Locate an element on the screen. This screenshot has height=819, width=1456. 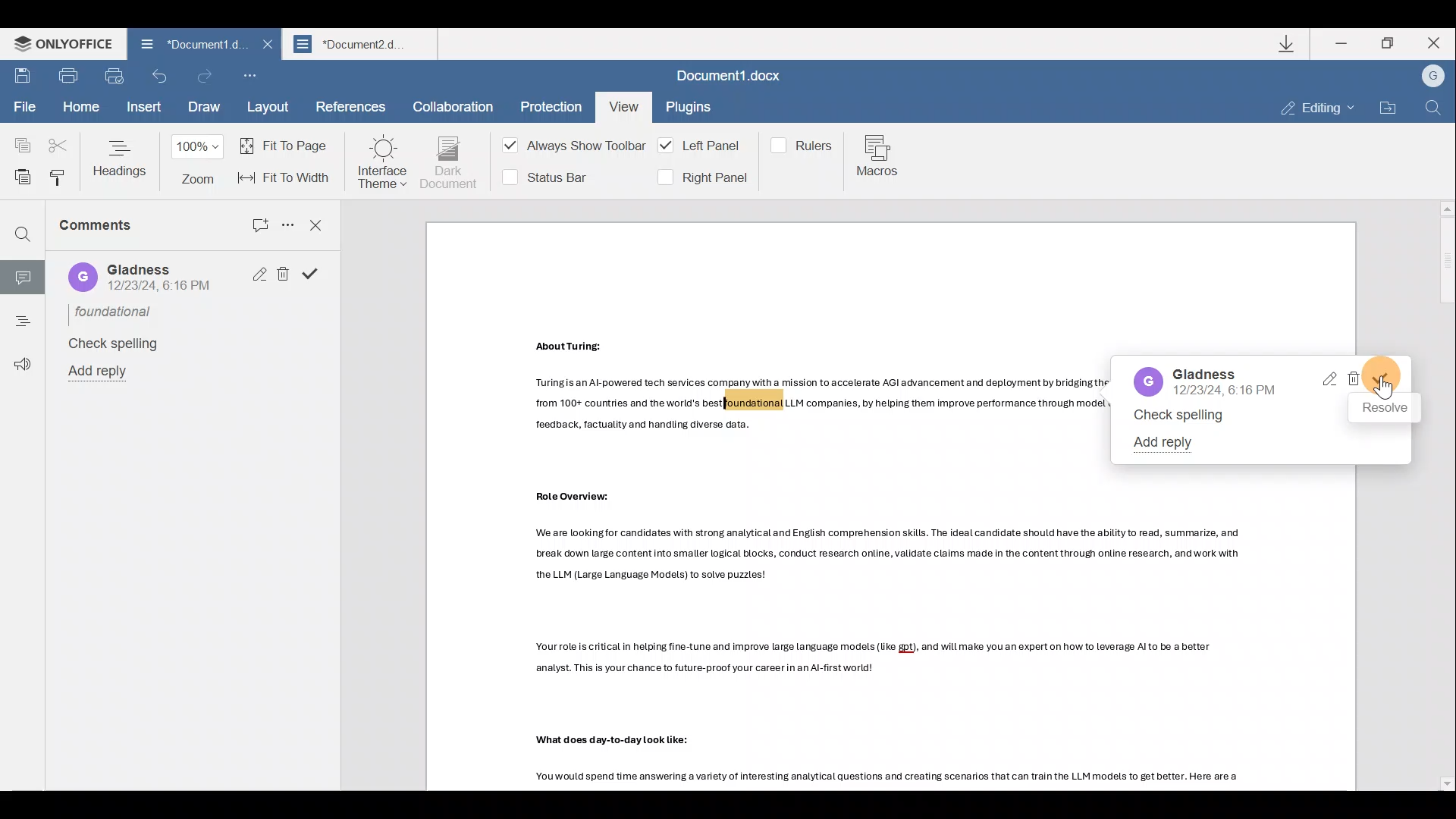
Maximize is located at coordinates (1391, 43).